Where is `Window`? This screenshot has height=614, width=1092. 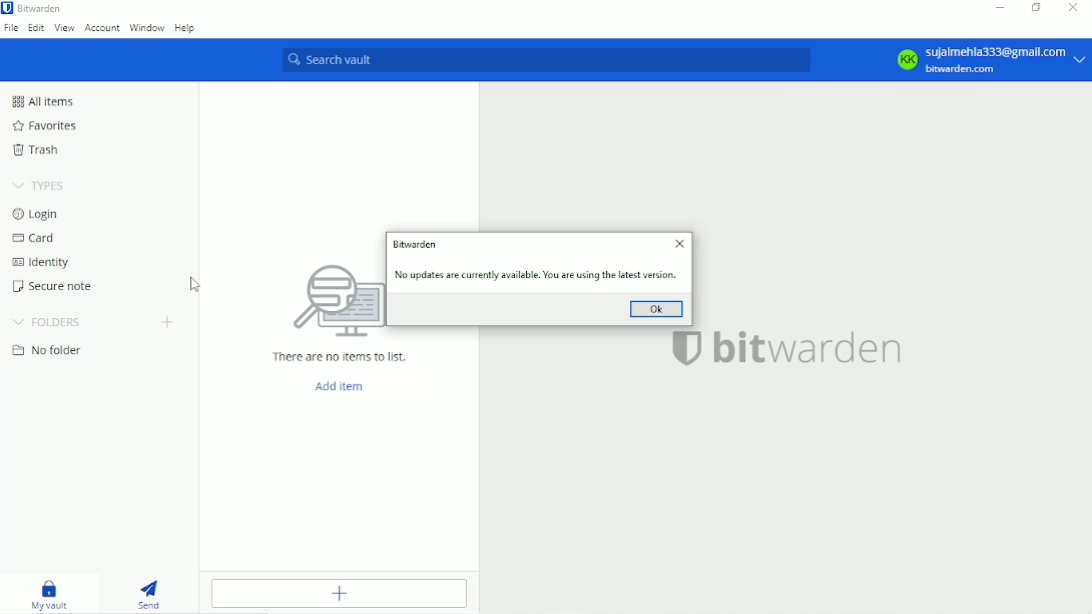
Window is located at coordinates (148, 29).